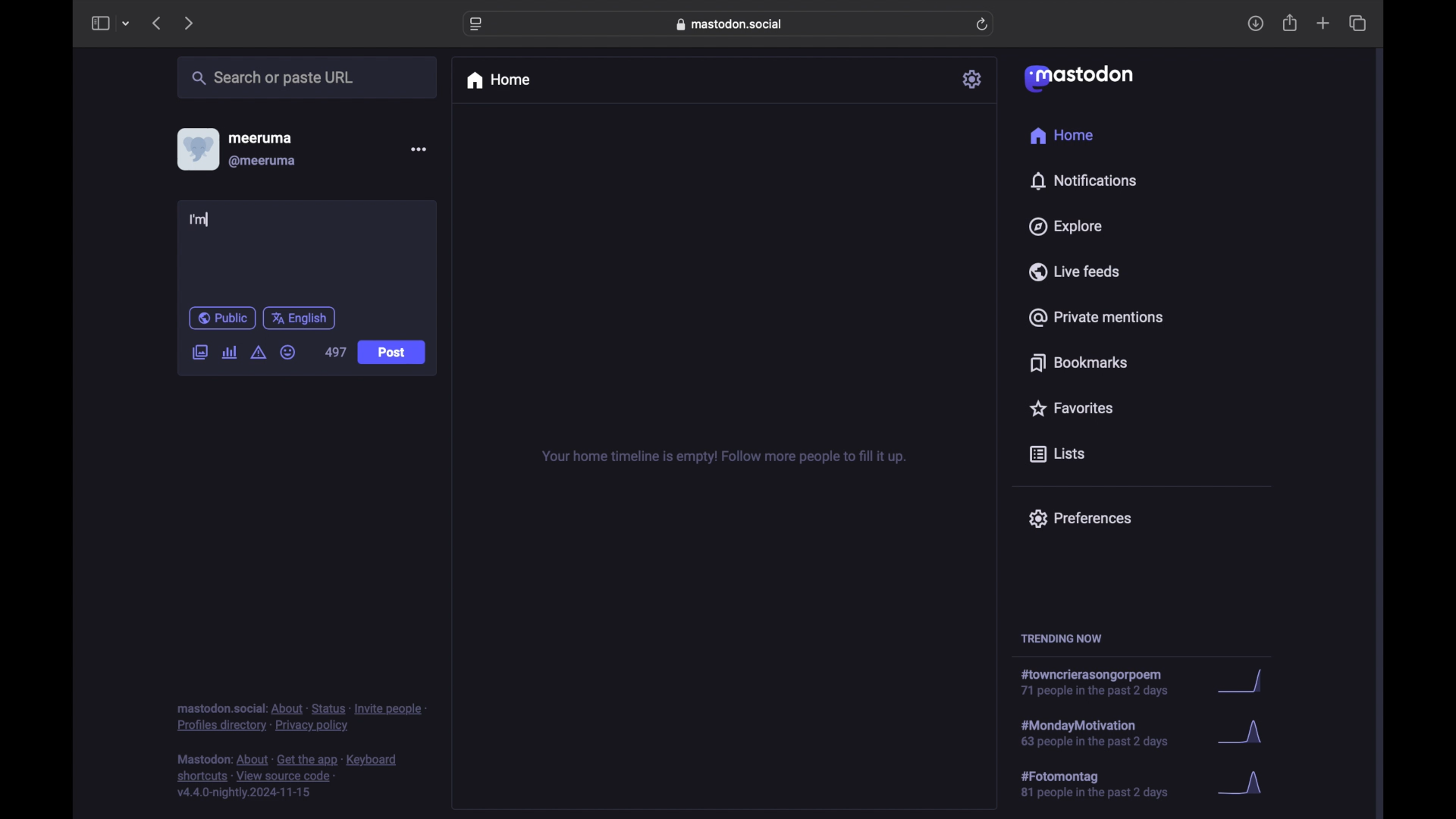 Image resolution: width=1456 pixels, height=819 pixels. I want to click on share or paste url, so click(273, 77).